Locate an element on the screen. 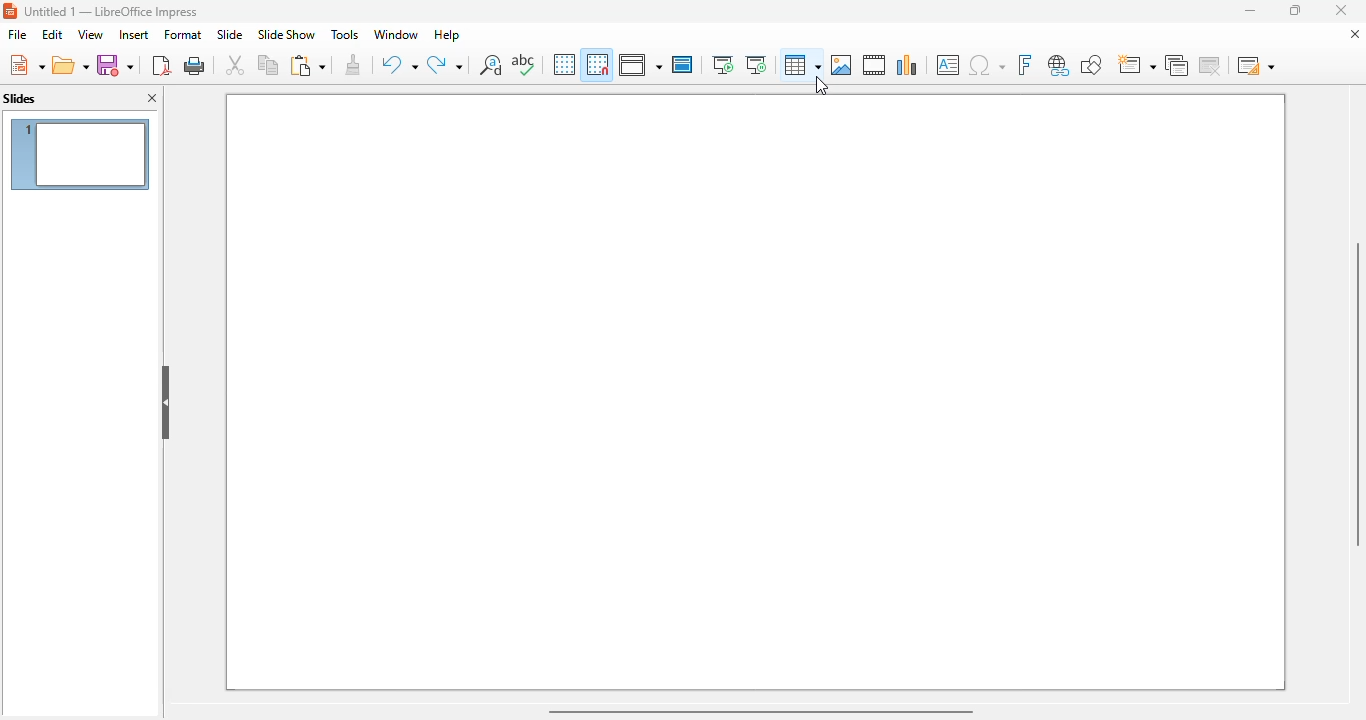 Image resolution: width=1366 pixels, height=720 pixels. hide pane is located at coordinates (167, 401).